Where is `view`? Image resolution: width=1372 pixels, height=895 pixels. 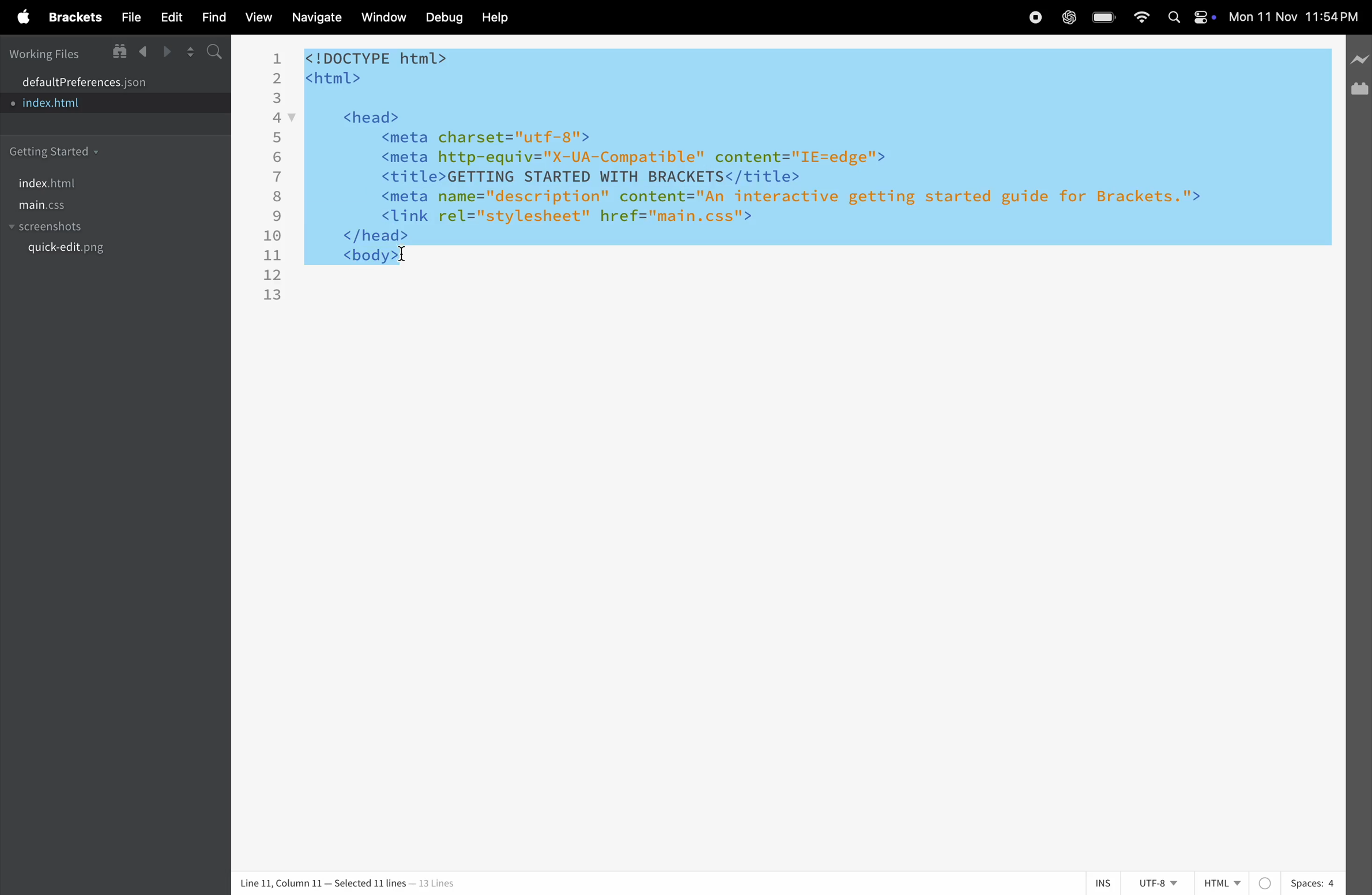 view is located at coordinates (258, 17).